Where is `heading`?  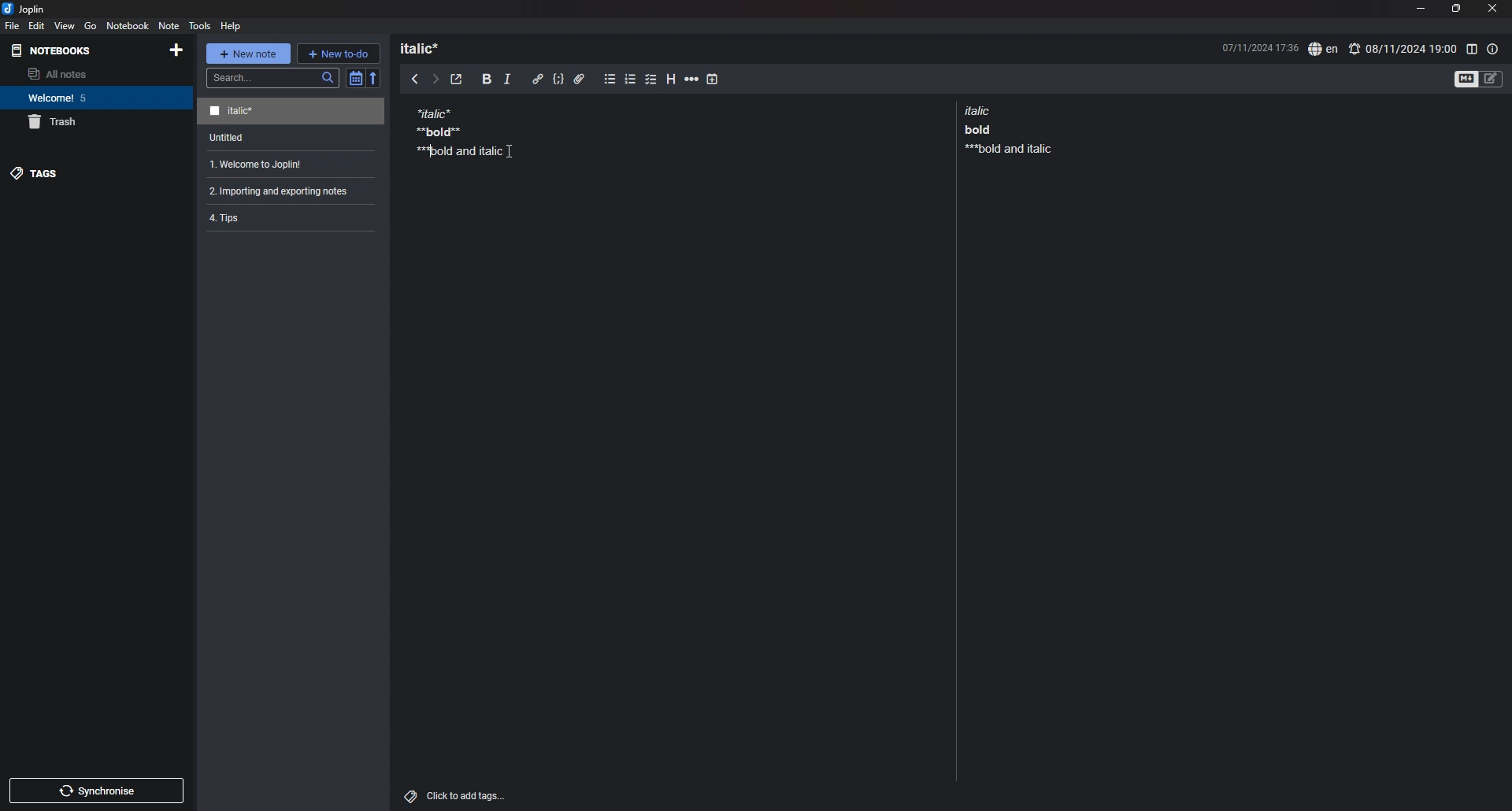
heading is located at coordinates (673, 80).